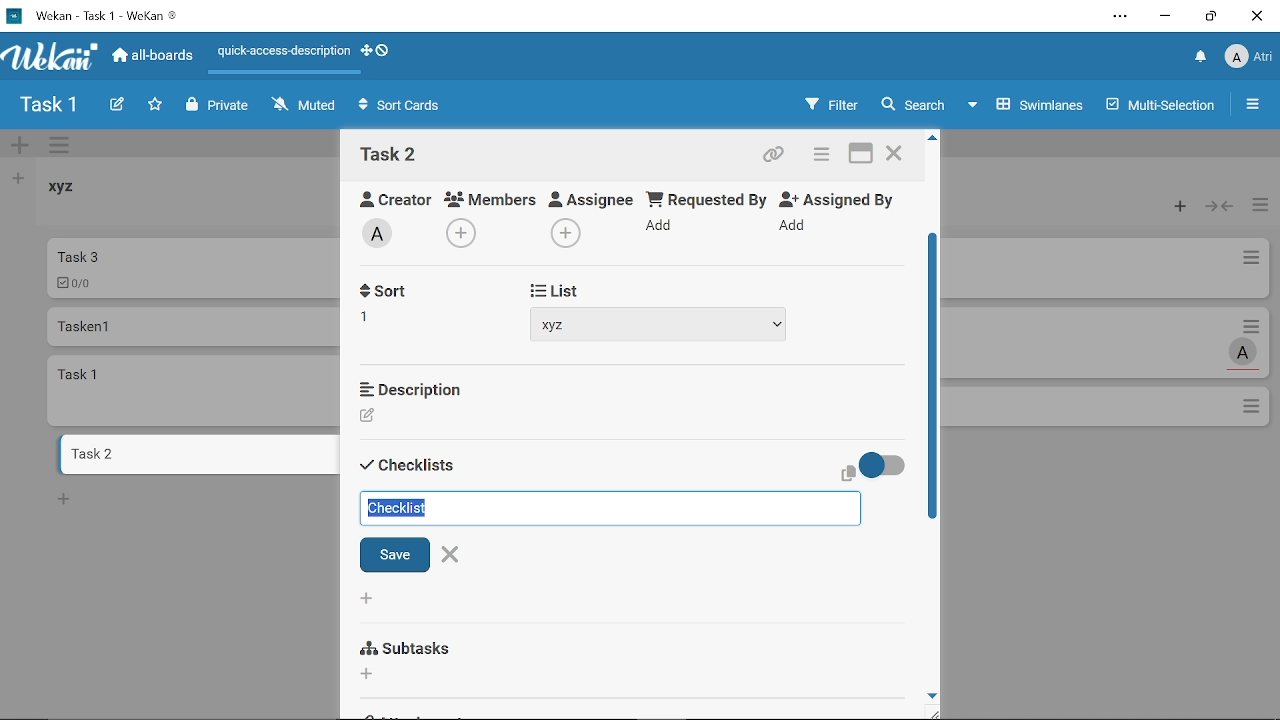 Image resolution: width=1280 pixels, height=720 pixels. Describe the element at coordinates (1248, 59) in the screenshot. I see `Profile` at that location.